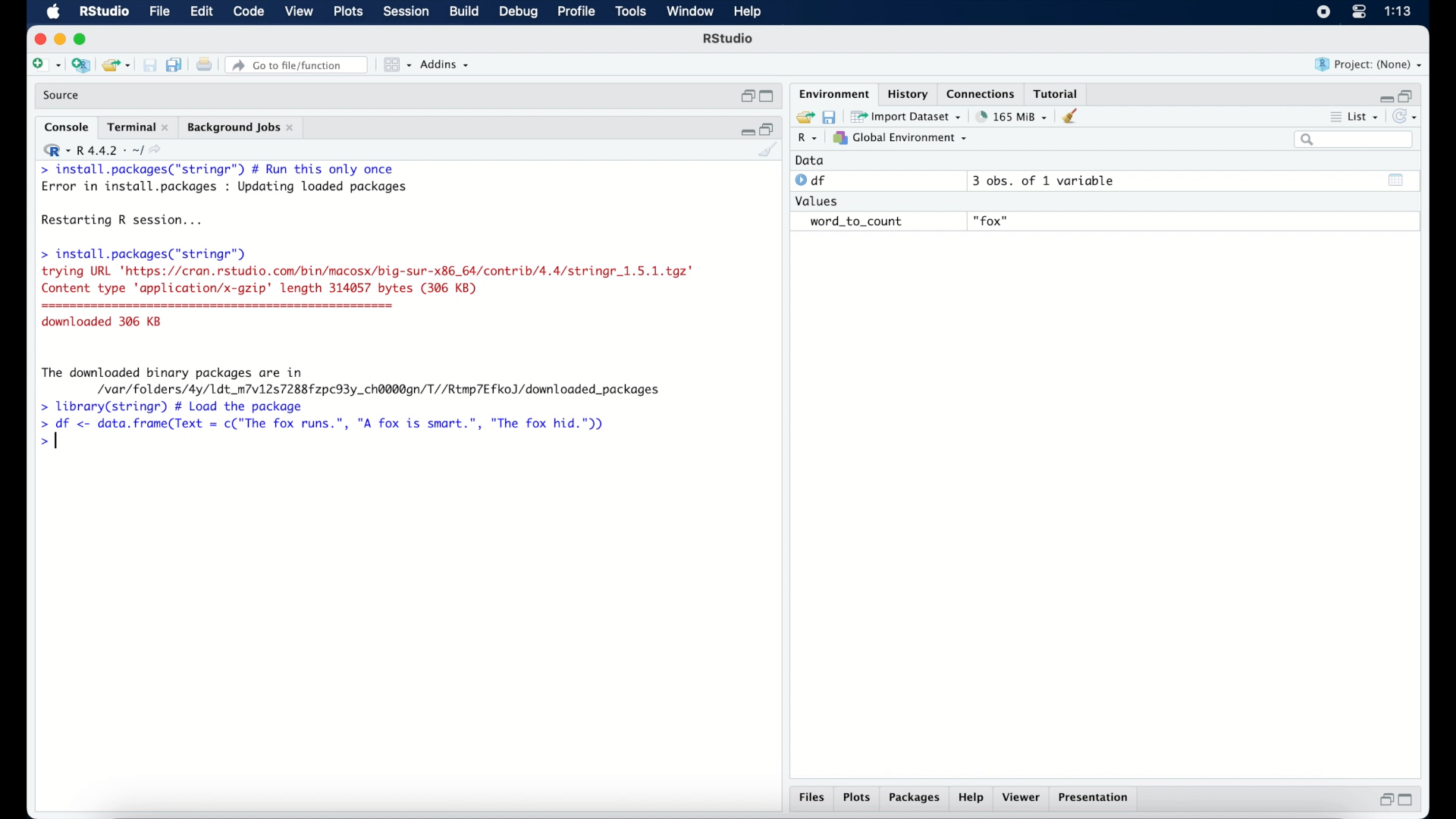  I want to click on global environment, so click(900, 137).